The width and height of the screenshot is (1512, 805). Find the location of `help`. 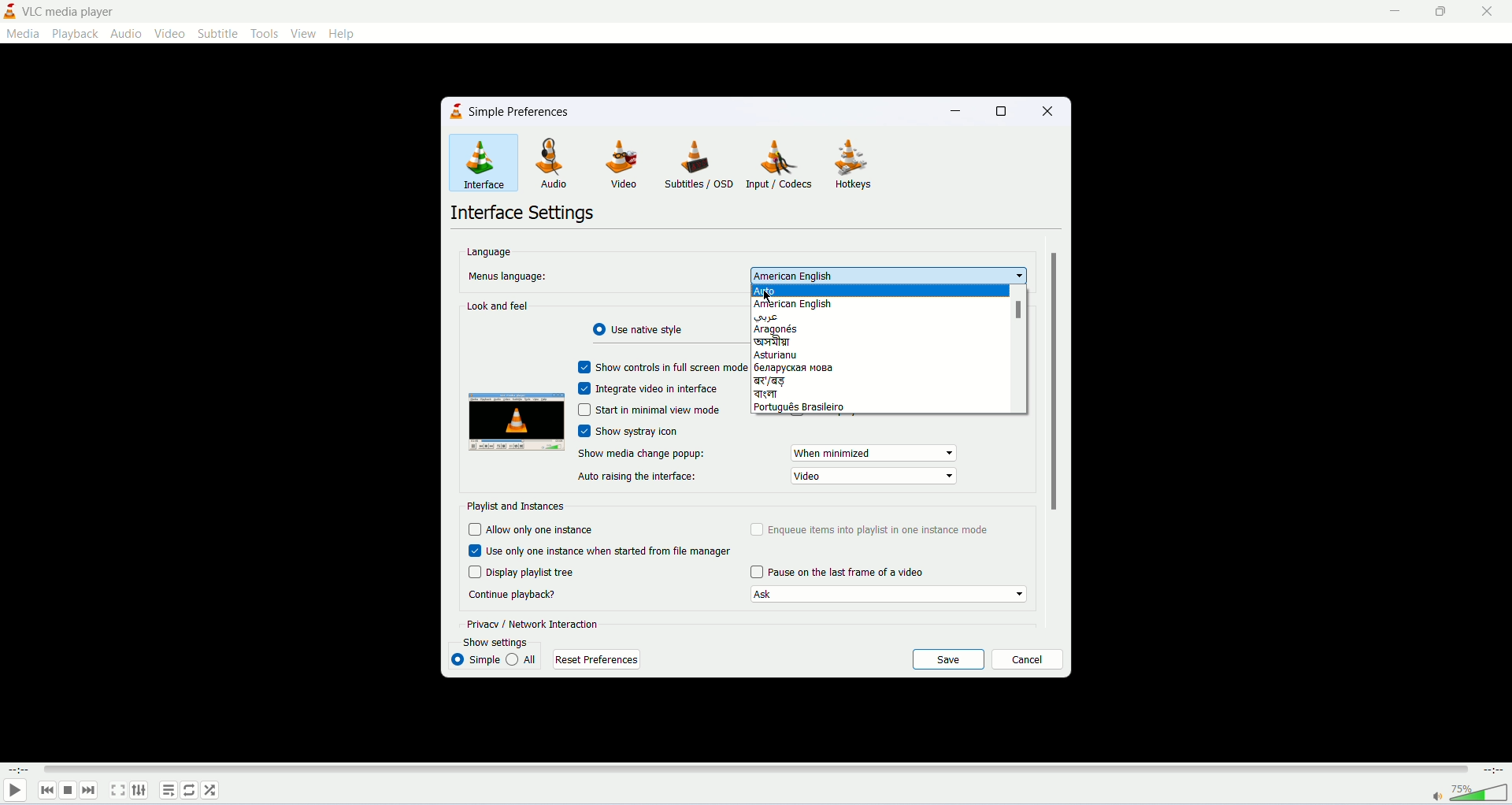

help is located at coordinates (346, 35).